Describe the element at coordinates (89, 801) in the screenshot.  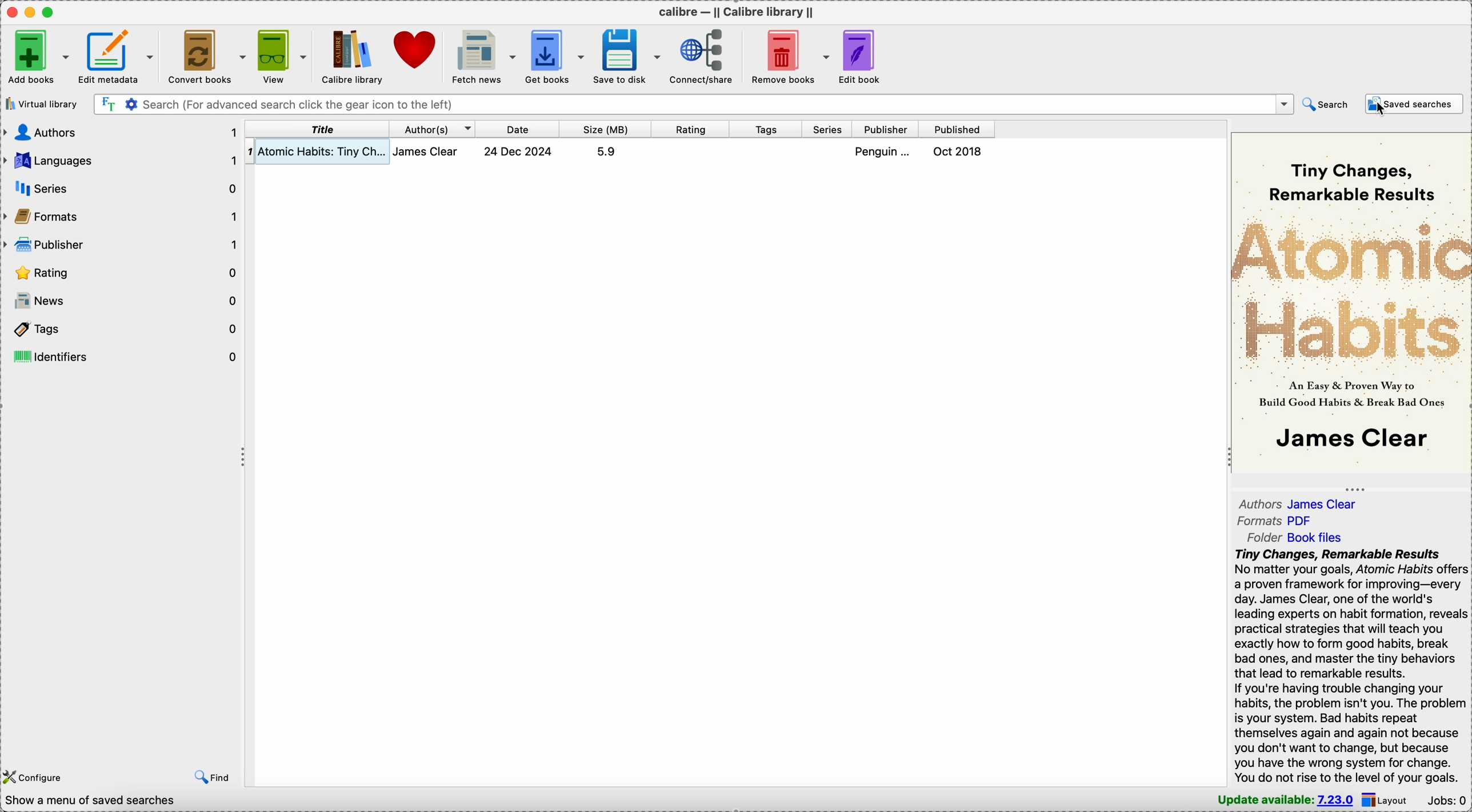
I see `Show a menu of saved searches` at that location.